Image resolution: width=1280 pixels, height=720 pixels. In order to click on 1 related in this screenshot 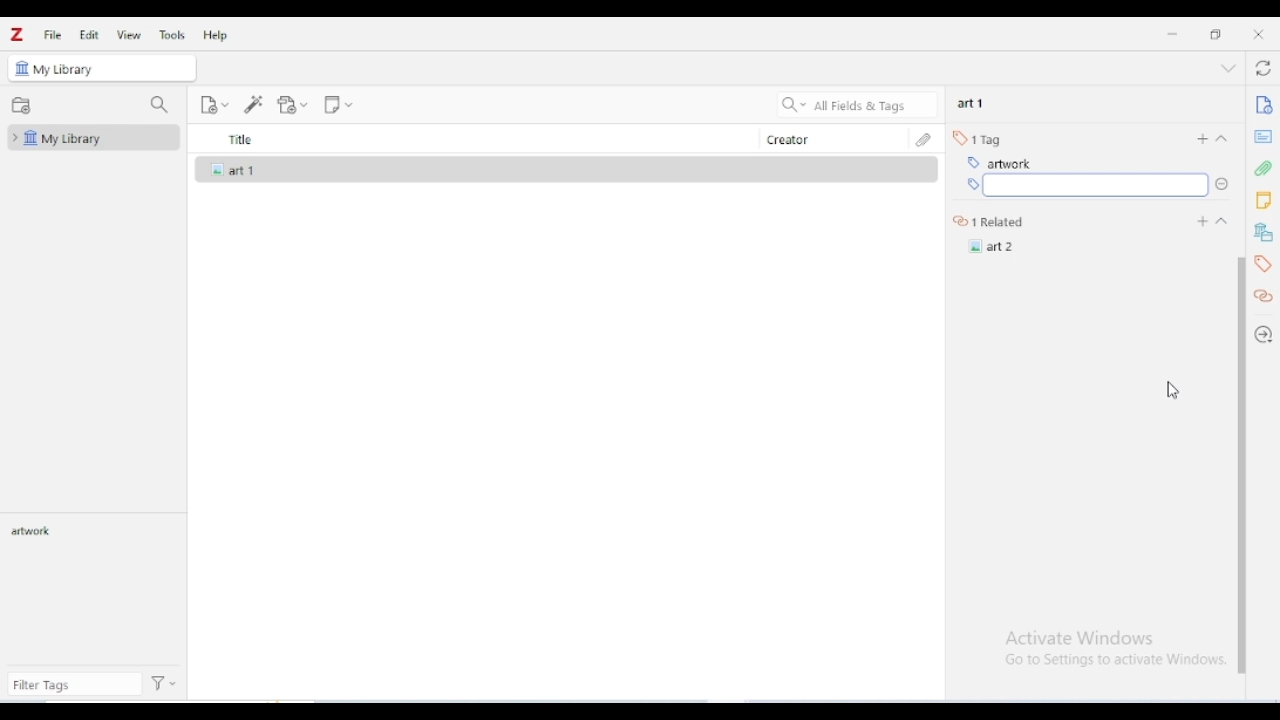, I will do `click(992, 144)`.